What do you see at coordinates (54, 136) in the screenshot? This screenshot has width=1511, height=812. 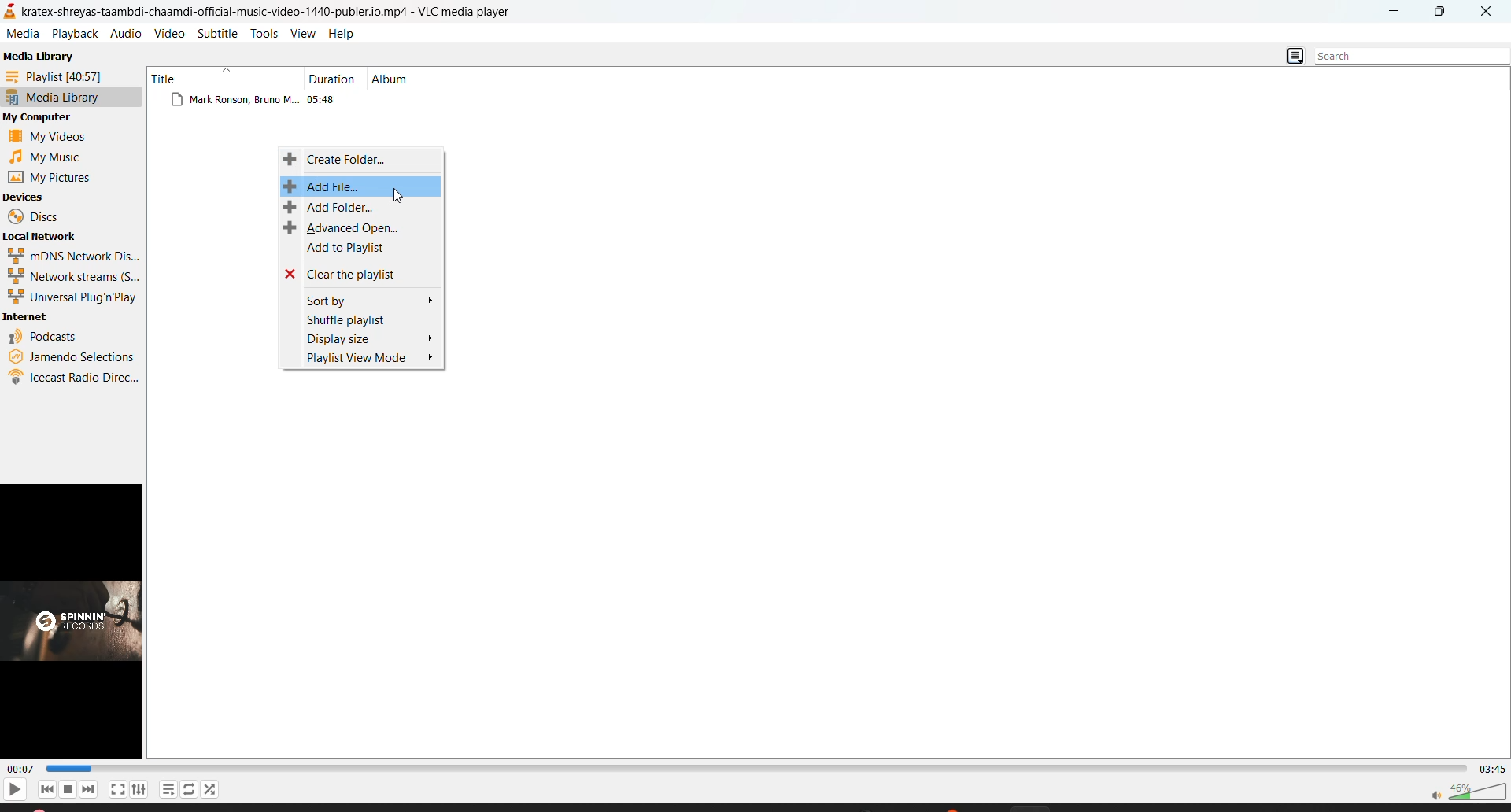 I see `videos` at bounding box center [54, 136].